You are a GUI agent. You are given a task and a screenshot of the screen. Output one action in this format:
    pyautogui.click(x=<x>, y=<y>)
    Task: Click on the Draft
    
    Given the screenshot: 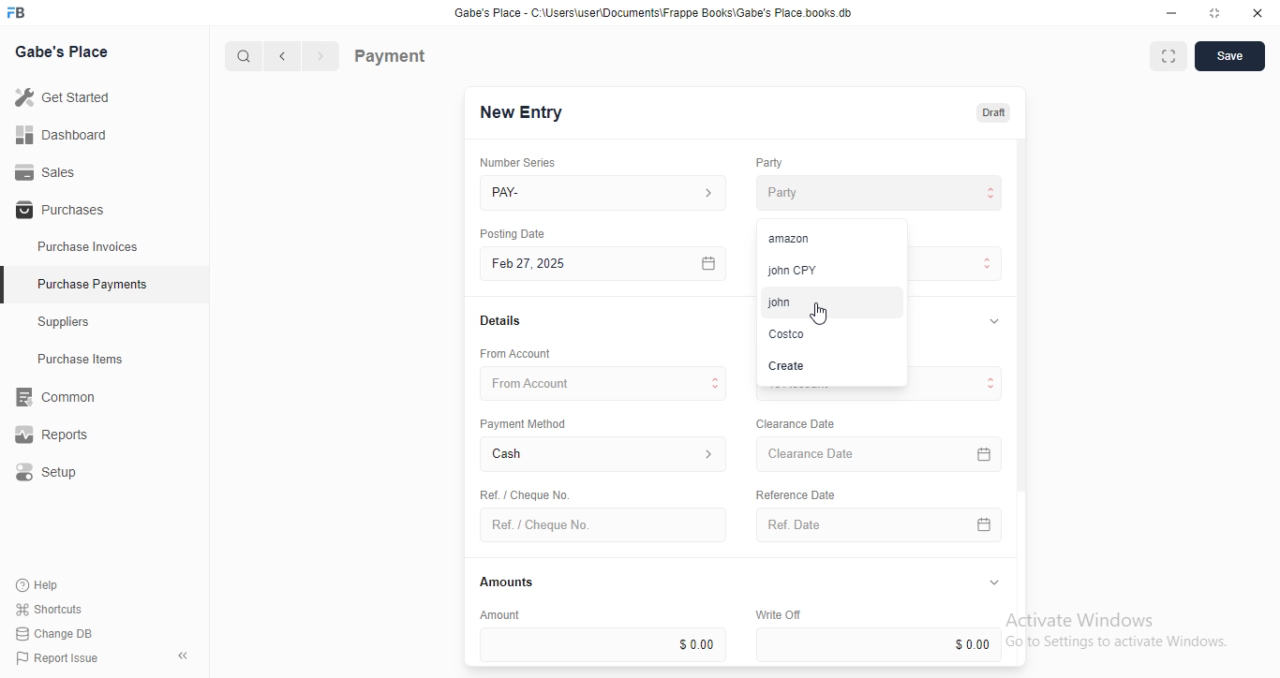 What is the action you would take?
    pyautogui.click(x=990, y=111)
    